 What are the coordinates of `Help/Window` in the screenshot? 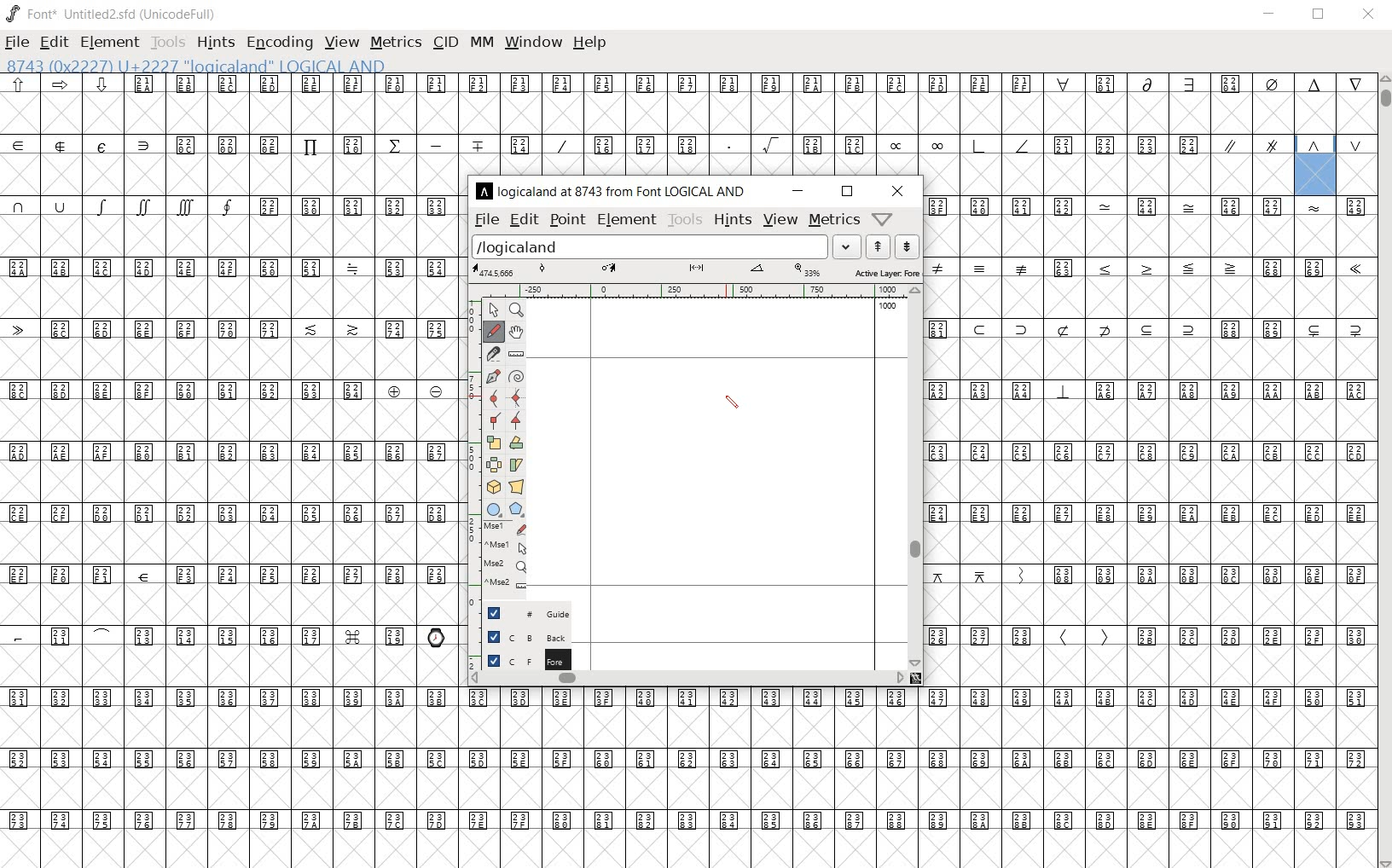 It's located at (884, 218).